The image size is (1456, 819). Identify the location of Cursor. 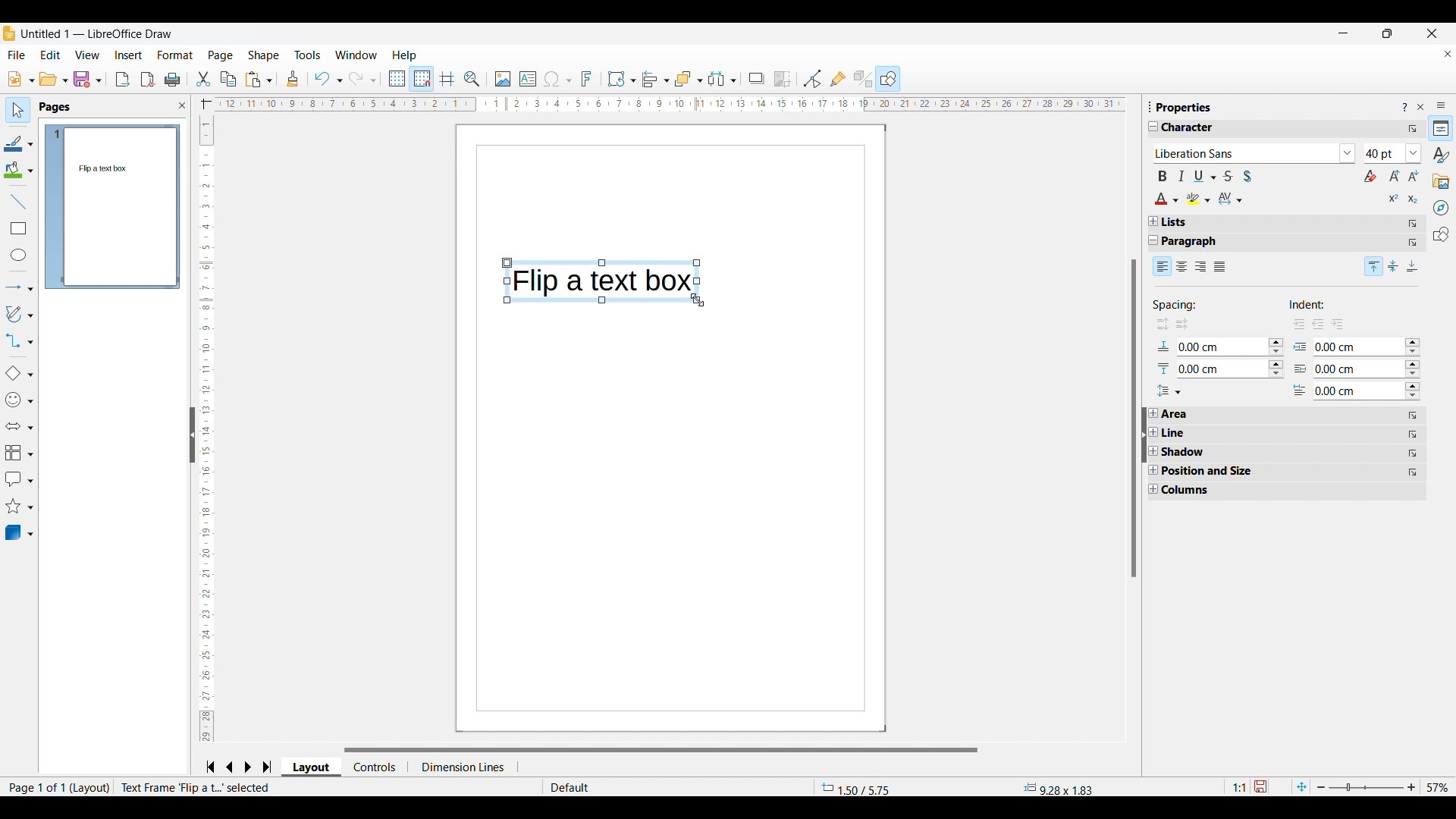
(699, 300).